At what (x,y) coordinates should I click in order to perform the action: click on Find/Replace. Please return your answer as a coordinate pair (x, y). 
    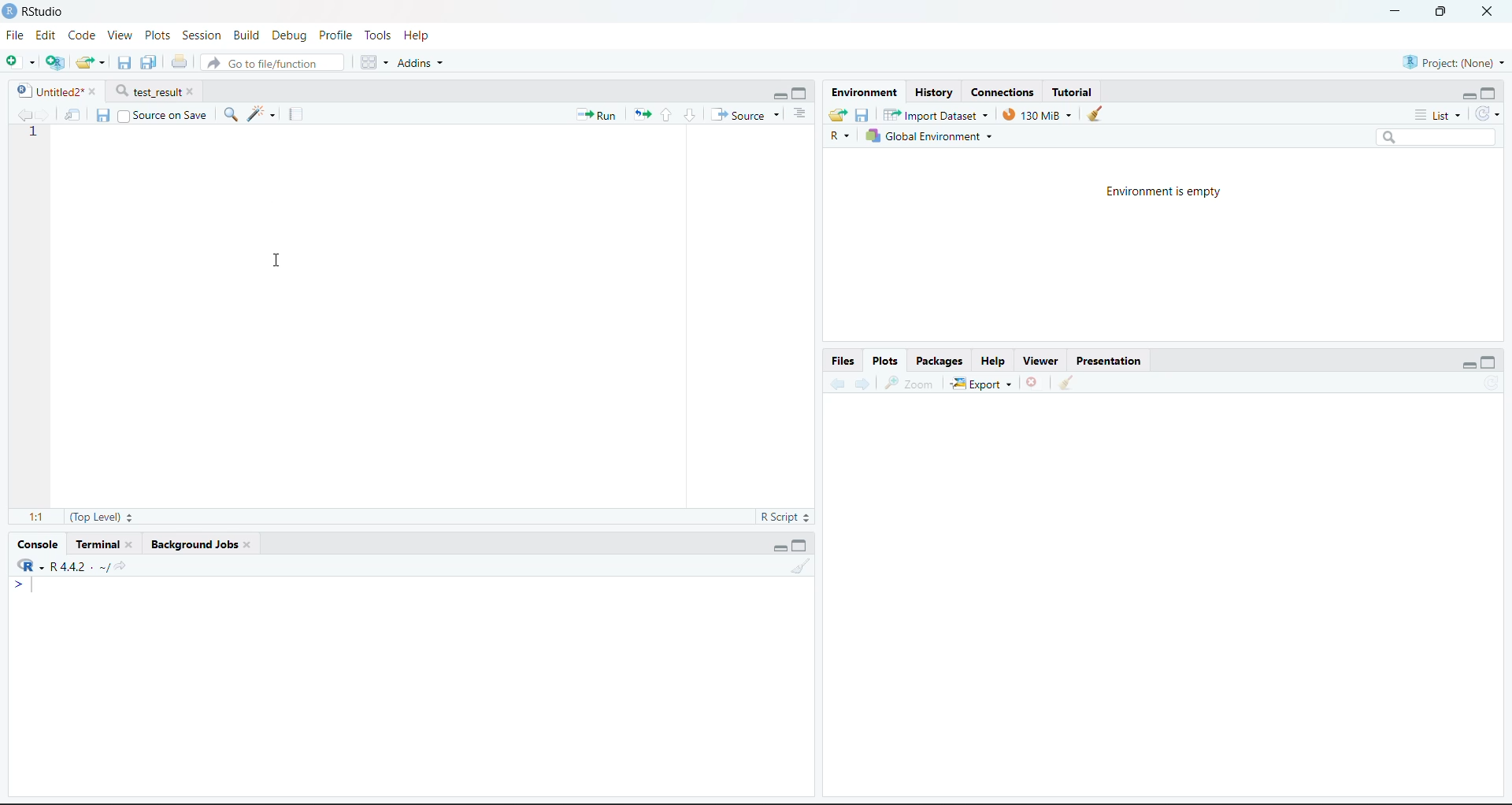
    Looking at the image, I should click on (232, 111).